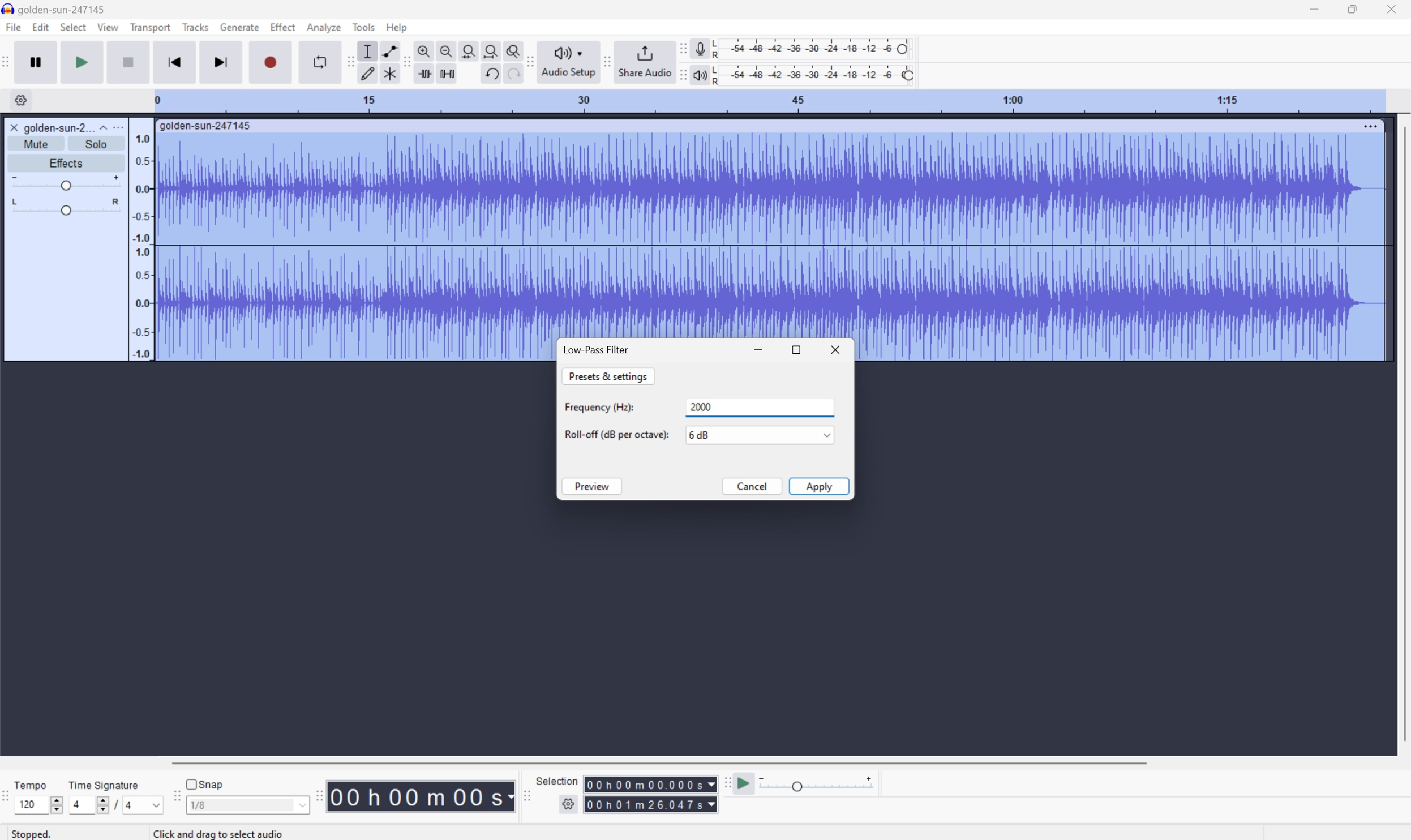  I want to click on , so click(510, 75).